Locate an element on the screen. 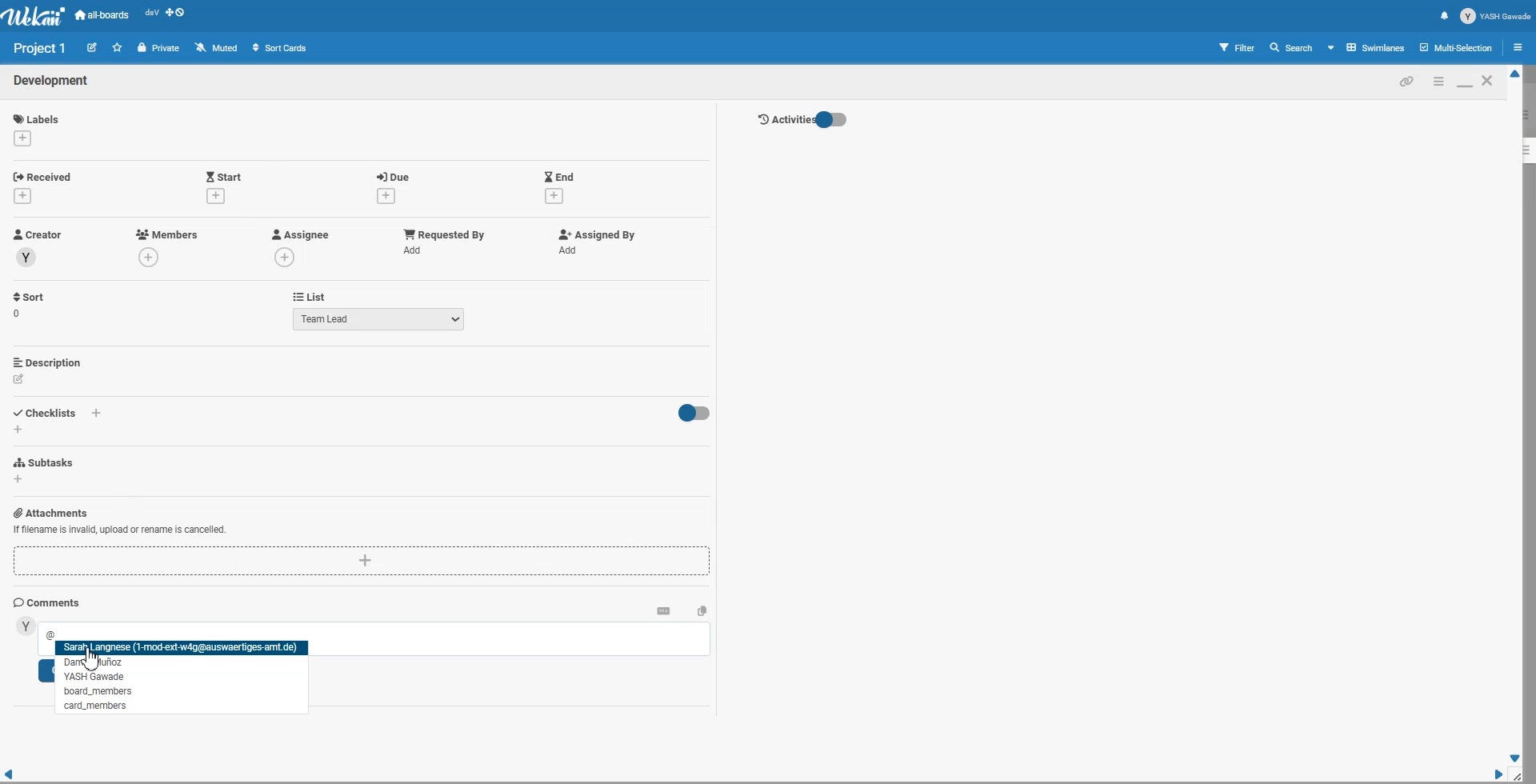 Image resolution: width=1536 pixels, height=784 pixels. Close is located at coordinates (1489, 80).